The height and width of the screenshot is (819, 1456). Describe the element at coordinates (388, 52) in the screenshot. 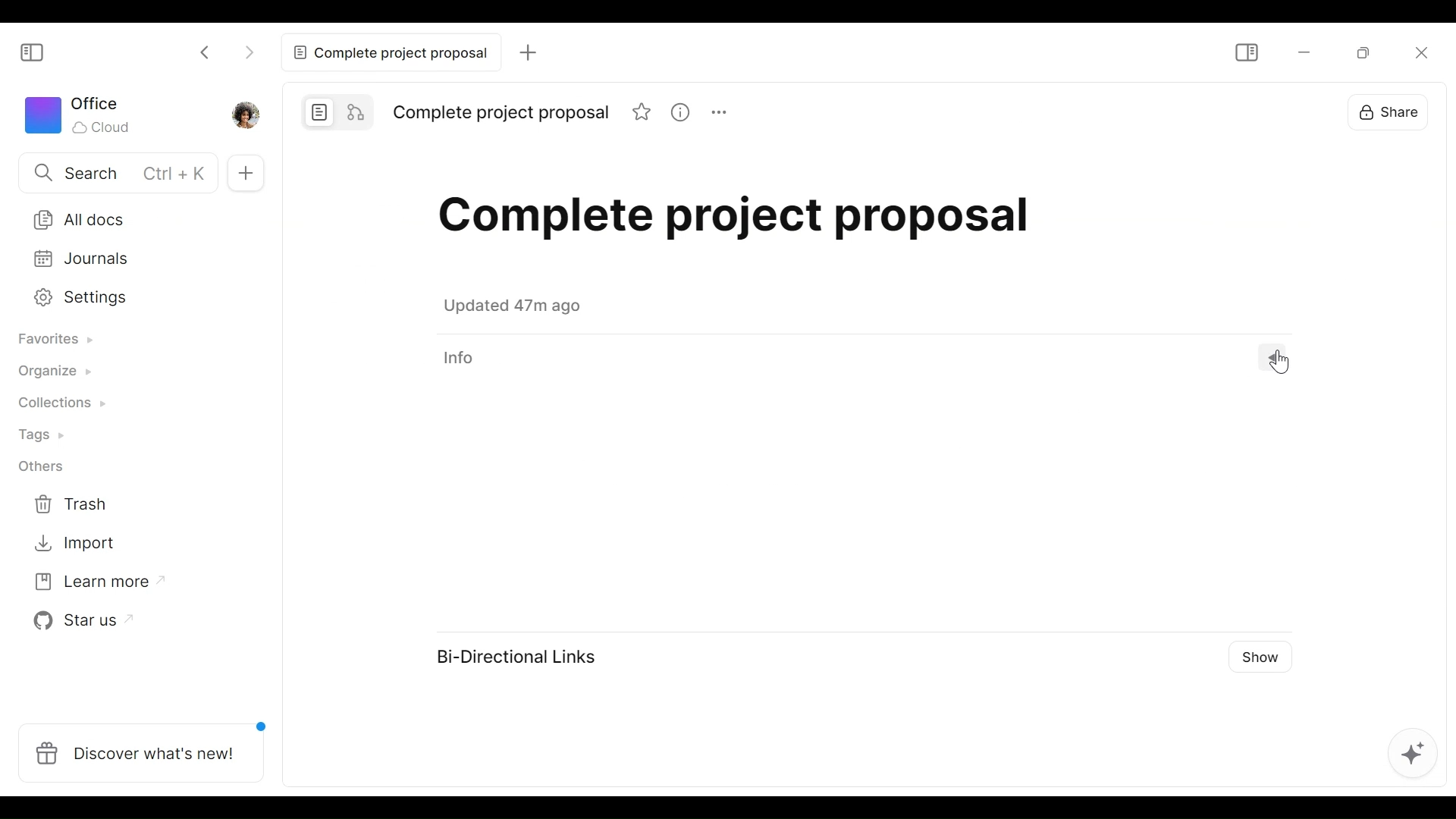

I see `Complete project proposal` at that location.